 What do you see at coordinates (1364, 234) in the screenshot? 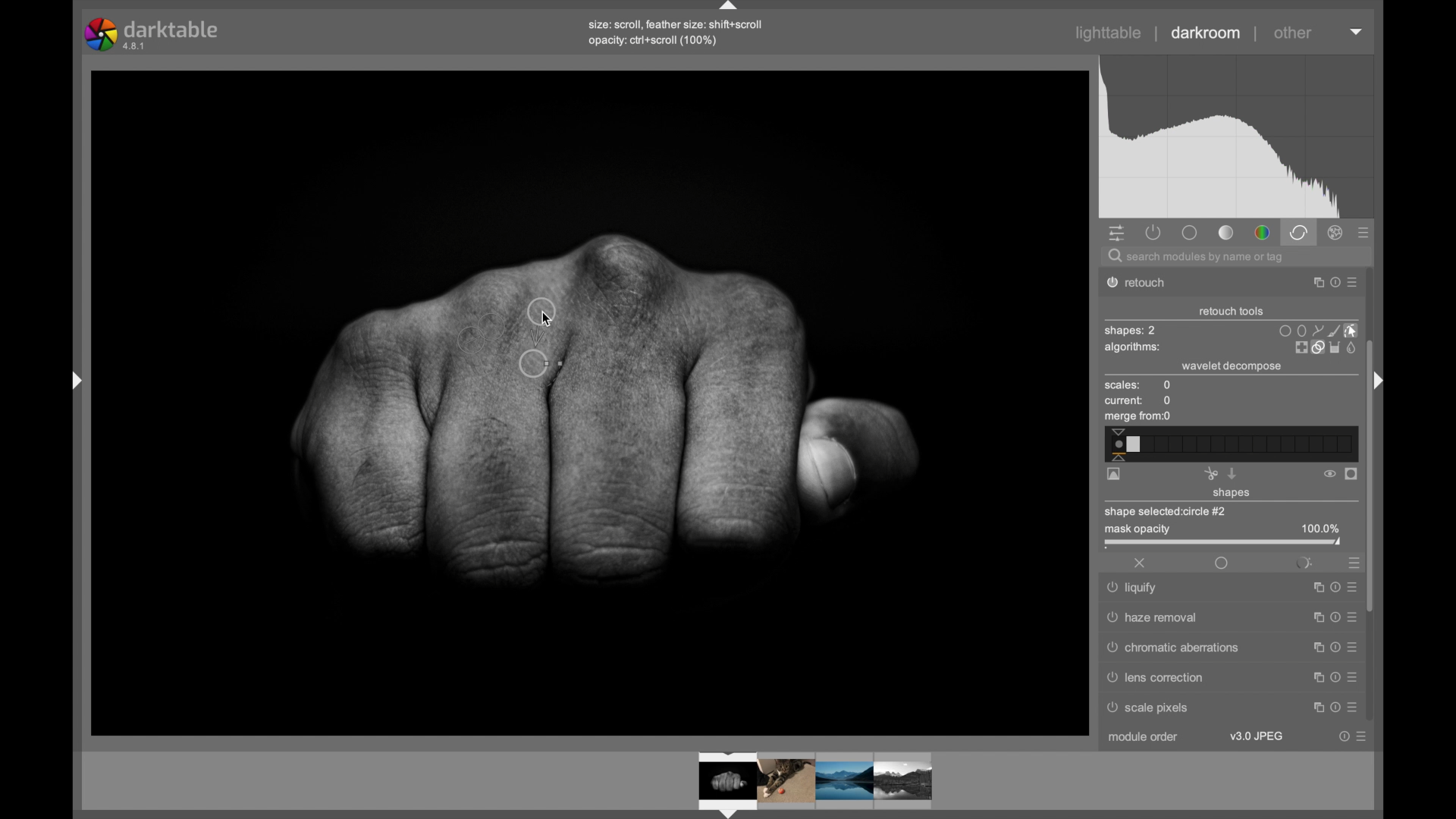
I see `presets` at bounding box center [1364, 234].